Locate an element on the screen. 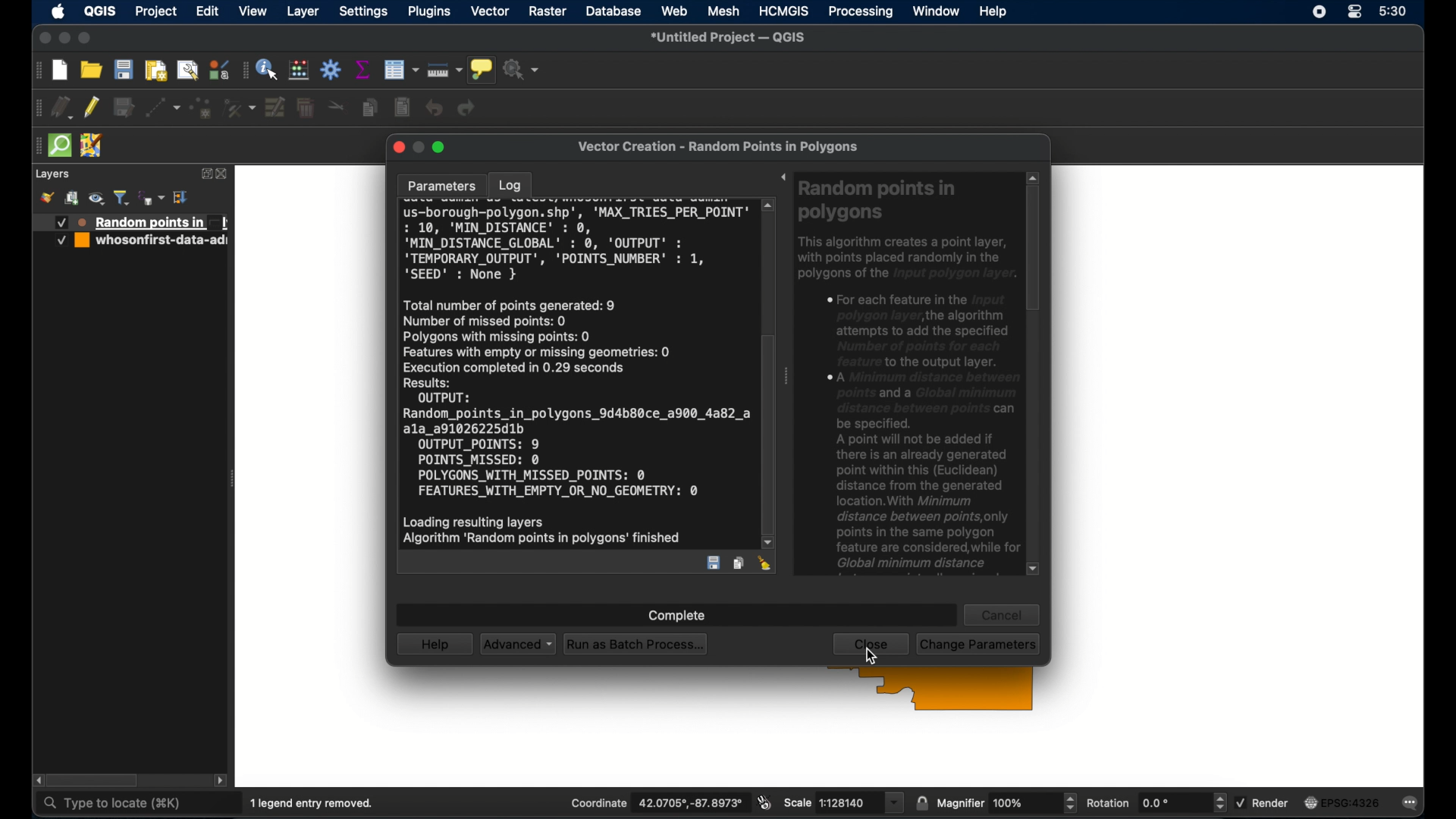 The image size is (1456, 819). control center is located at coordinates (1354, 12).